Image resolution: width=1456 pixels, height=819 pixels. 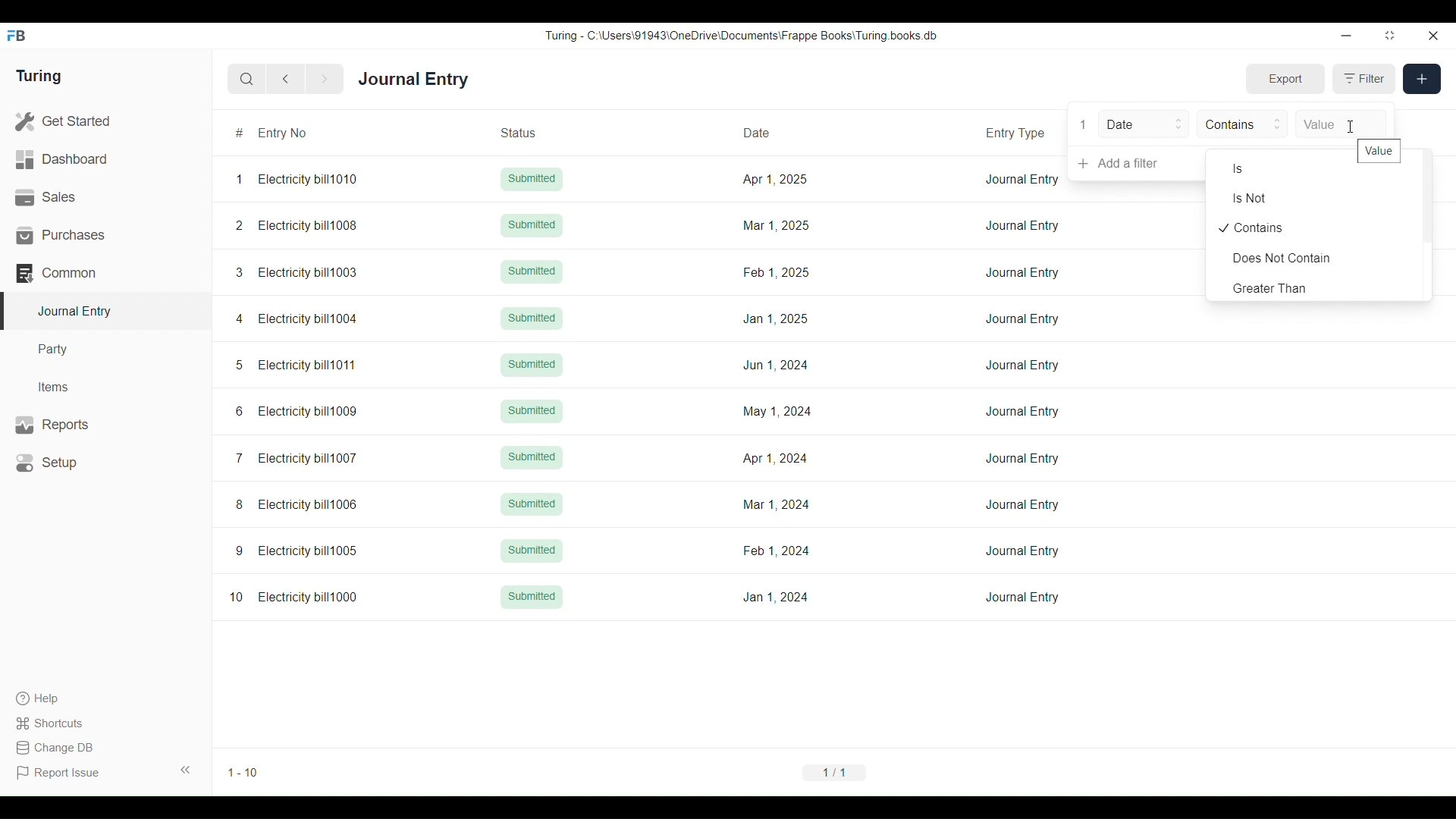 What do you see at coordinates (776, 365) in the screenshot?
I see `Jun 1, 2024` at bounding box center [776, 365].